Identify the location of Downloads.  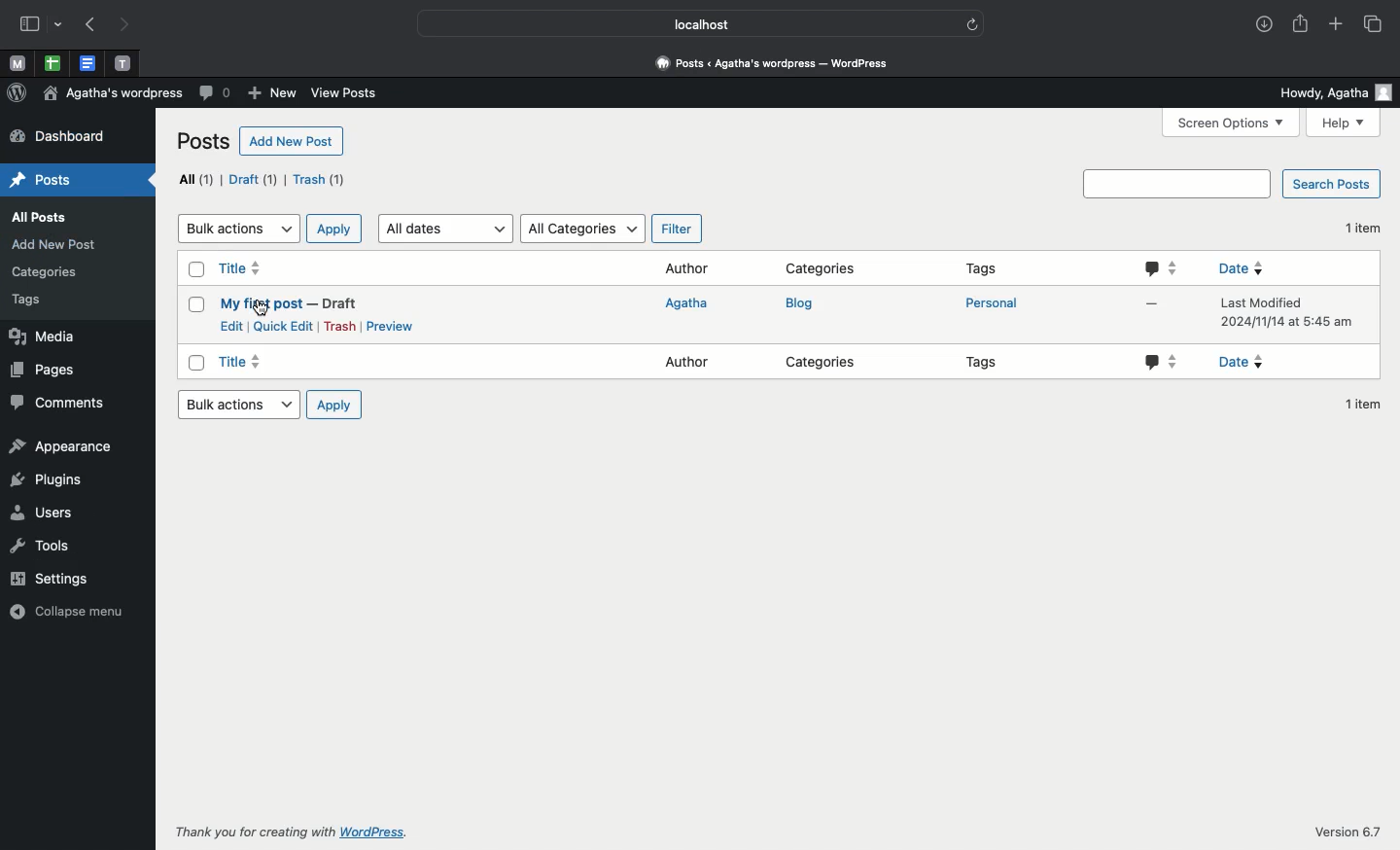
(1264, 24).